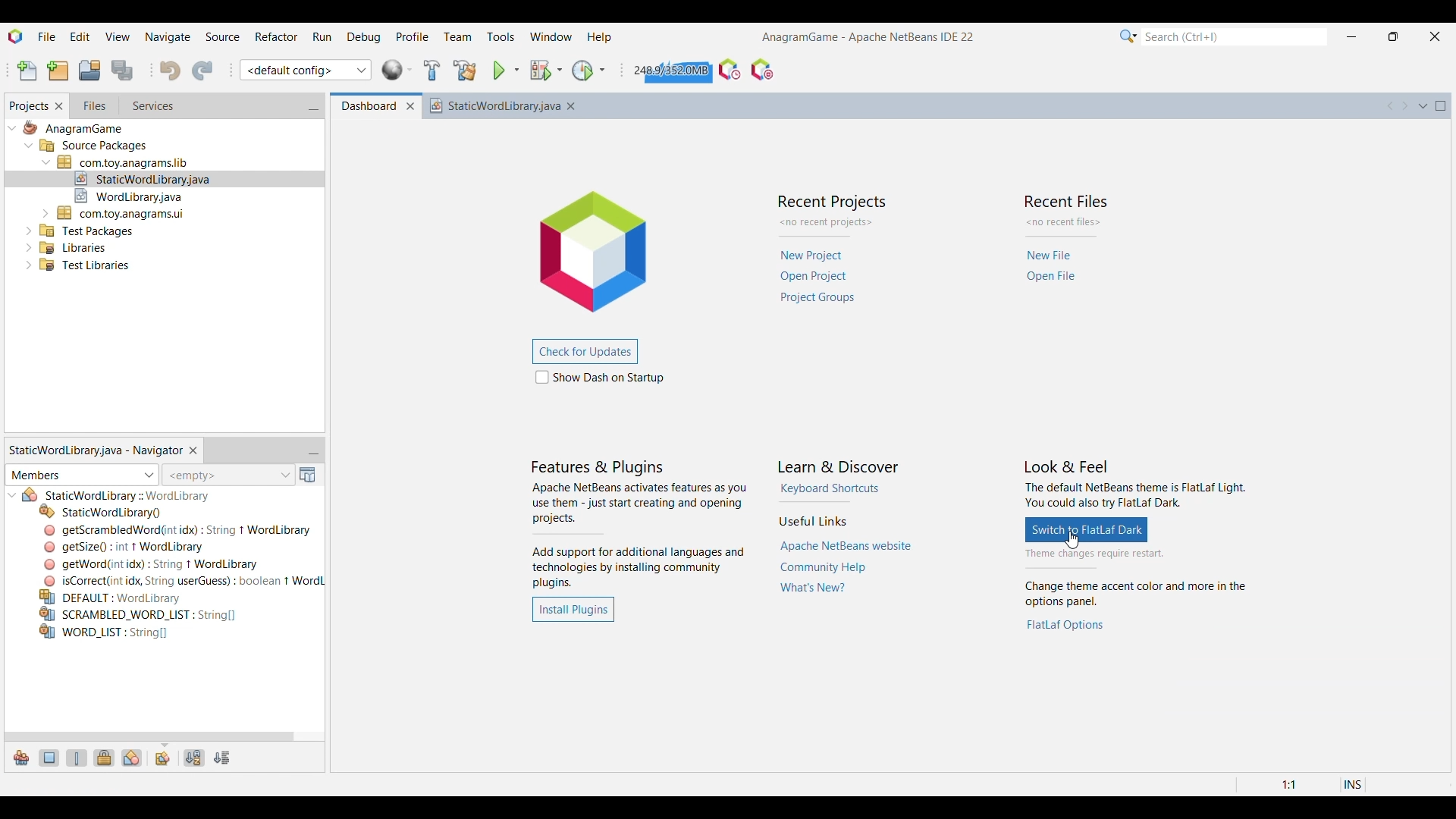  What do you see at coordinates (1134, 554) in the screenshot?
I see `Next step after clicking on current selected button` at bounding box center [1134, 554].